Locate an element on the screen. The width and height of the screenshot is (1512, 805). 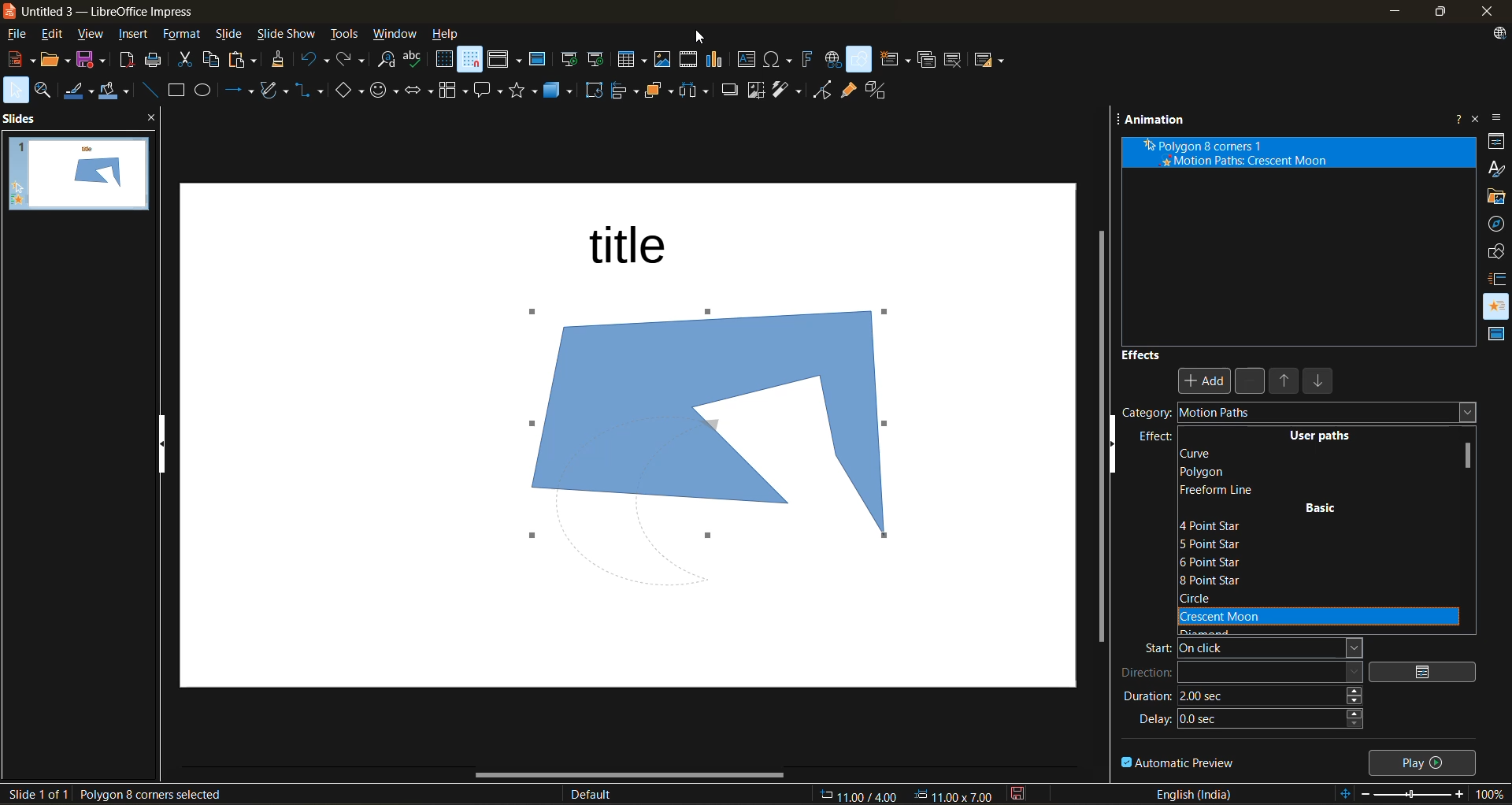
insert is located at coordinates (132, 35).